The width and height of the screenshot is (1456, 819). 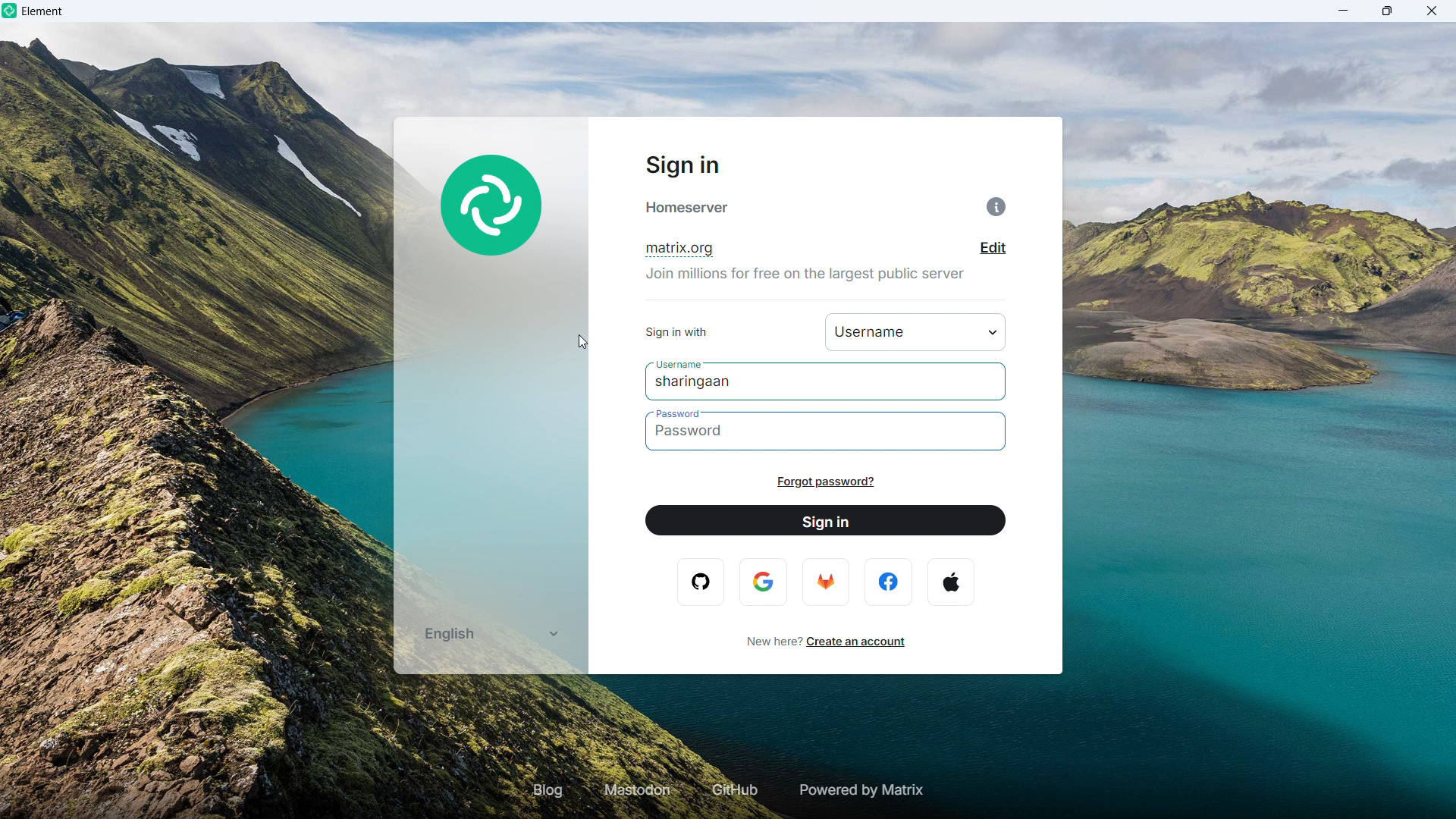 I want to click on username, so click(x=675, y=362).